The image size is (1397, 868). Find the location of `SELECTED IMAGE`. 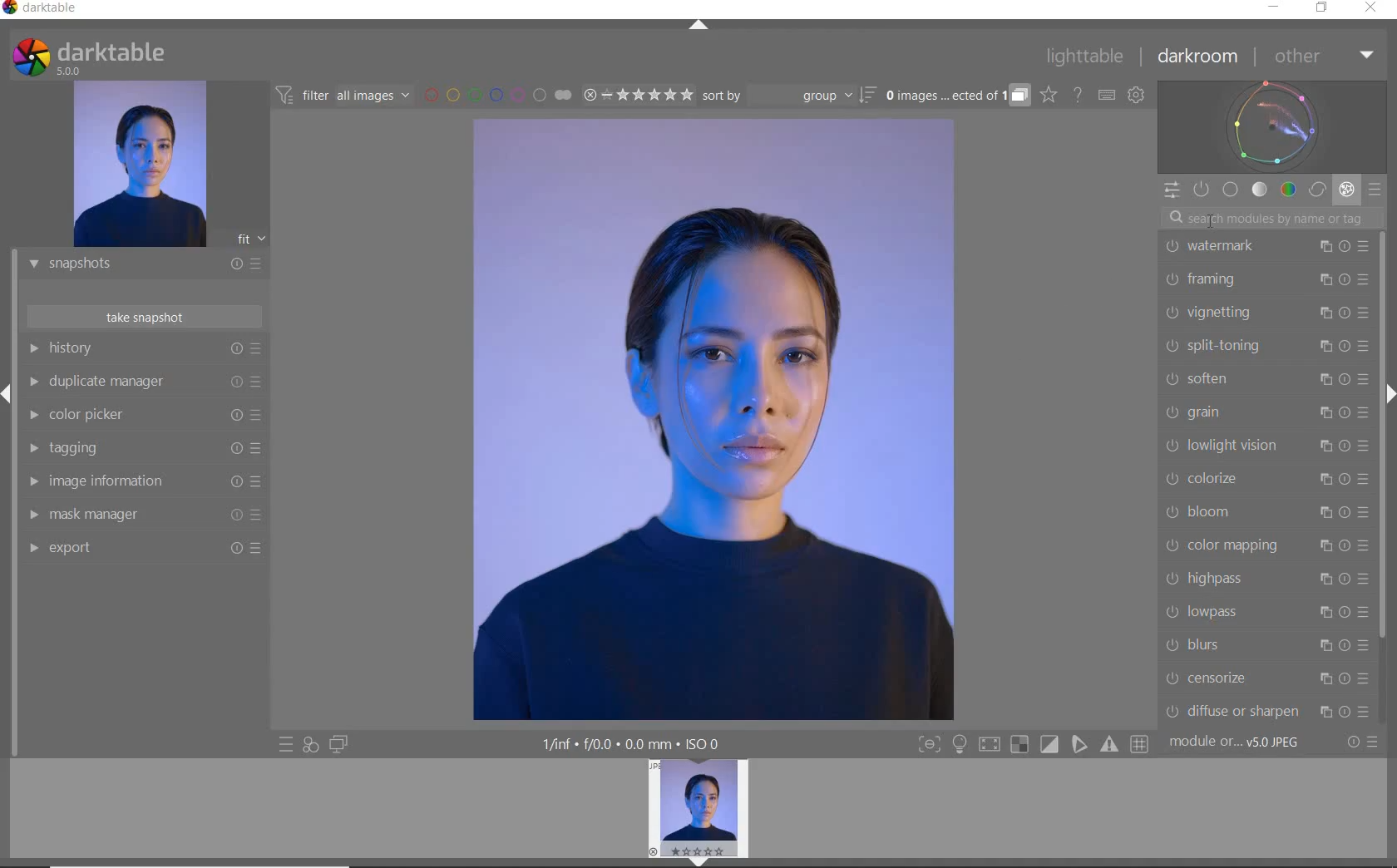

SELECTED IMAGE is located at coordinates (712, 419).